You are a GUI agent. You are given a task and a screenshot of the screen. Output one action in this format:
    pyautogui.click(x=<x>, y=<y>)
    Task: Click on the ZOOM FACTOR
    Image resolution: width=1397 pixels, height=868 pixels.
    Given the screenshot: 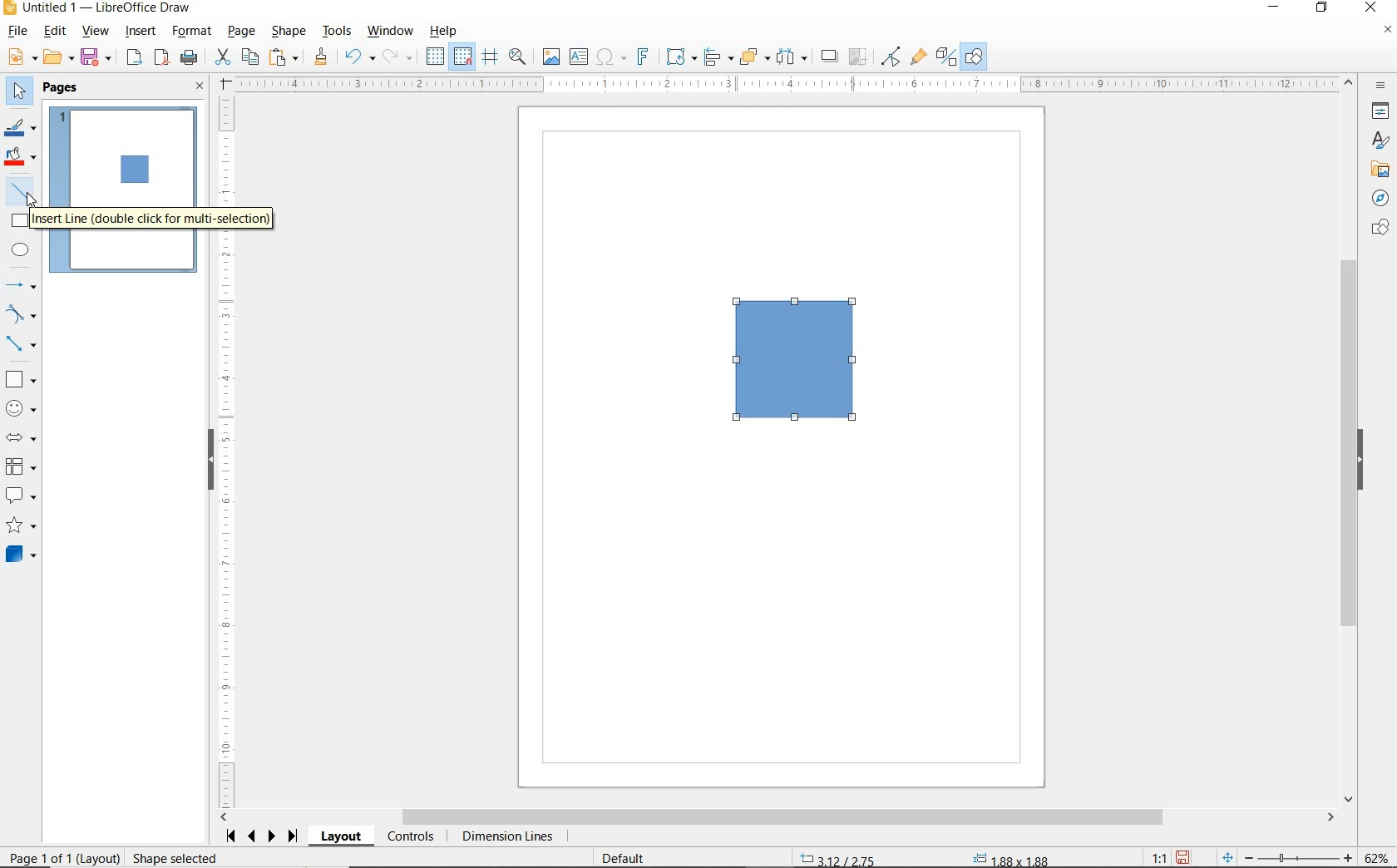 What is the action you would take?
    pyautogui.click(x=1375, y=858)
    